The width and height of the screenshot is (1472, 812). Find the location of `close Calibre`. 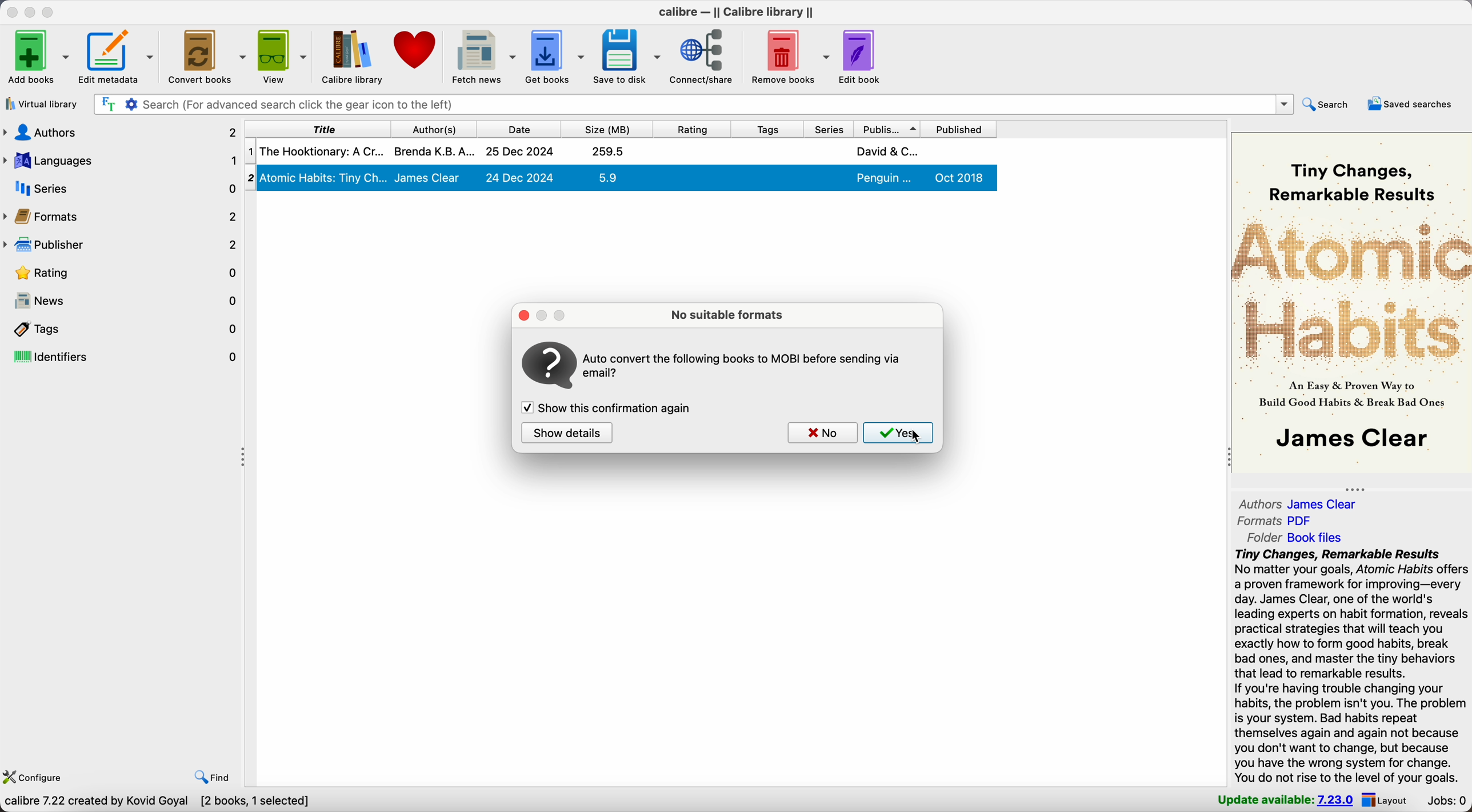

close Calibre is located at coordinates (10, 11).